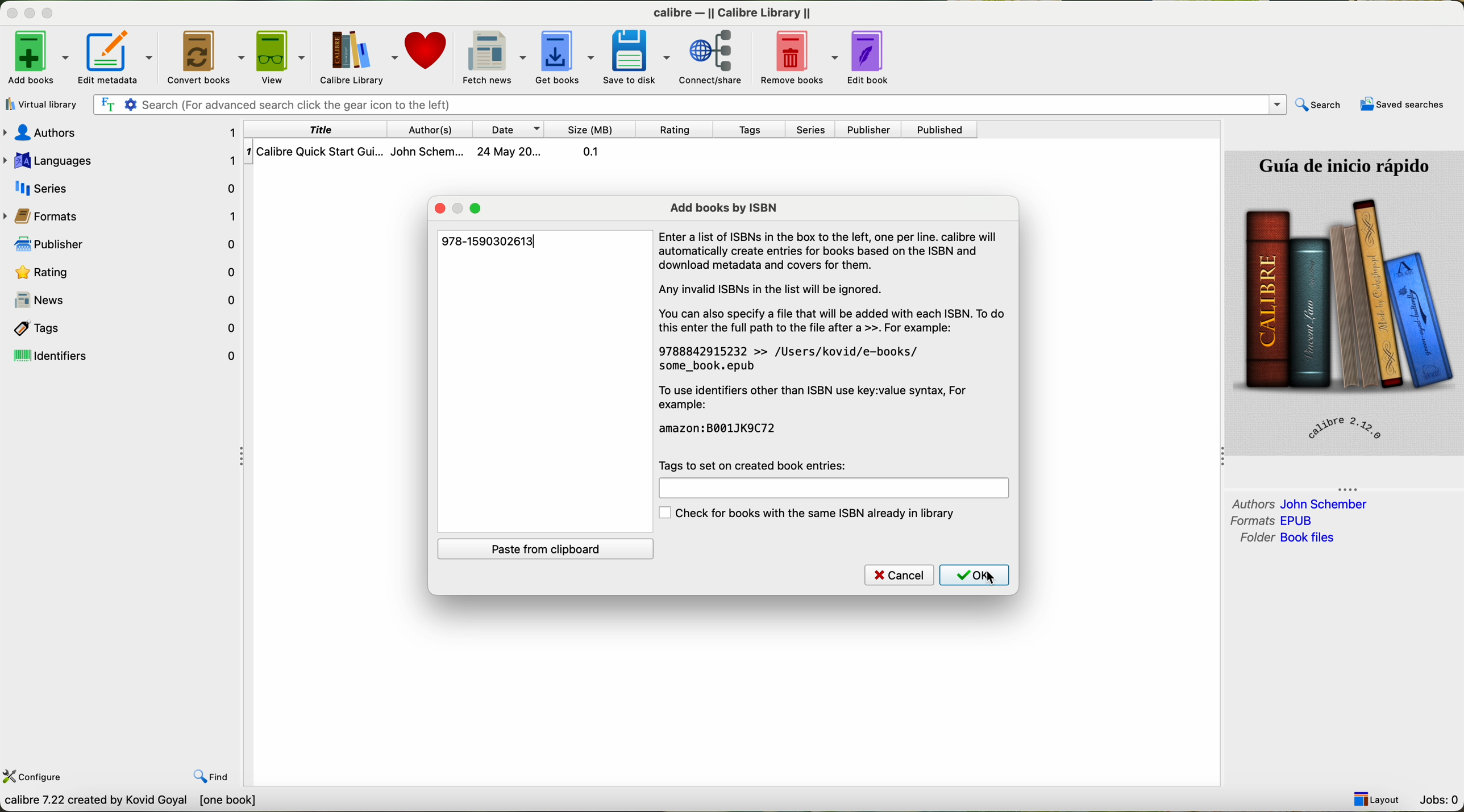  Describe the element at coordinates (129, 134) in the screenshot. I see `audio` at that location.